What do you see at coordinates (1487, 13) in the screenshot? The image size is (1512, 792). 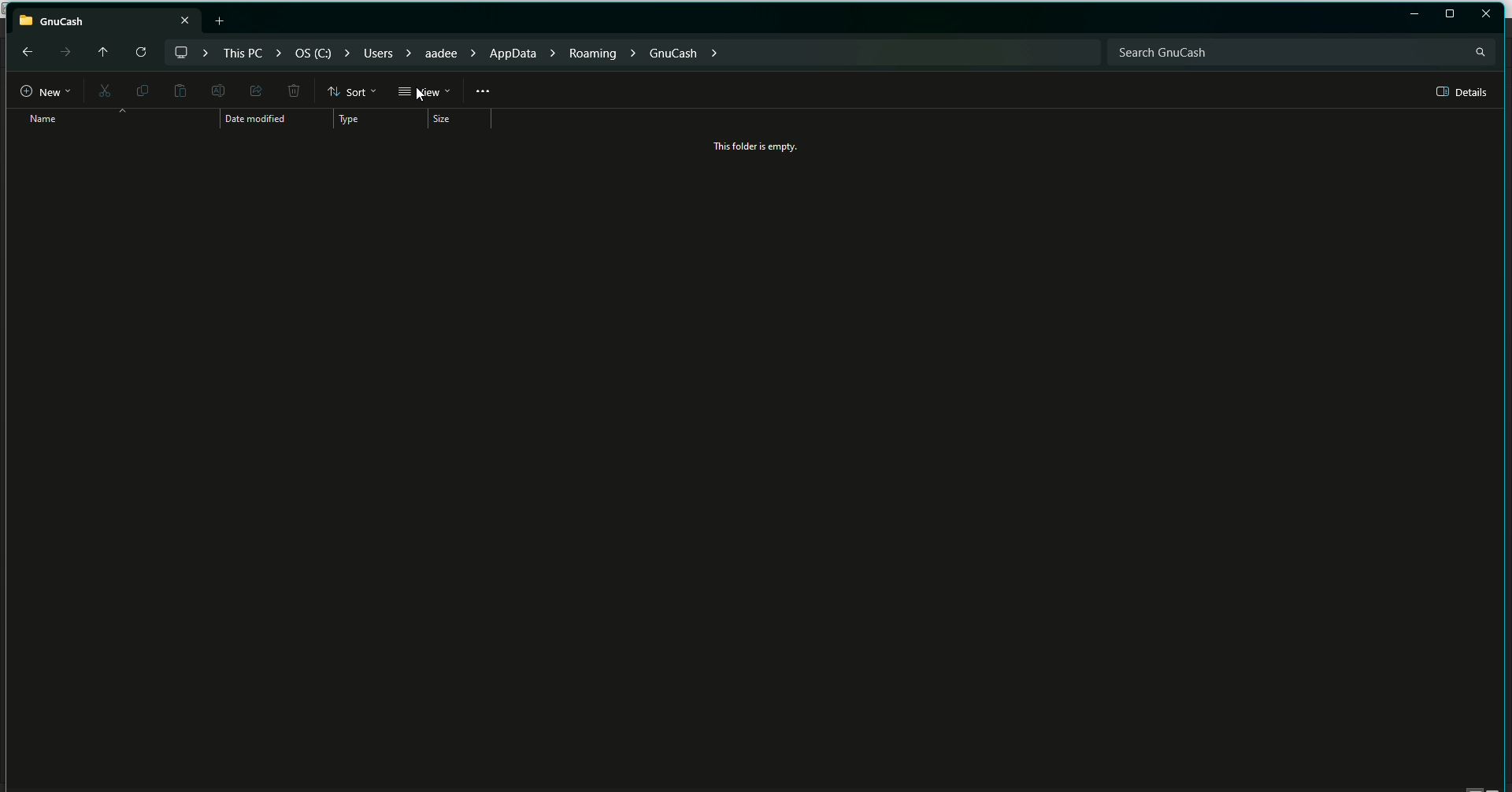 I see `Close` at bounding box center [1487, 13].